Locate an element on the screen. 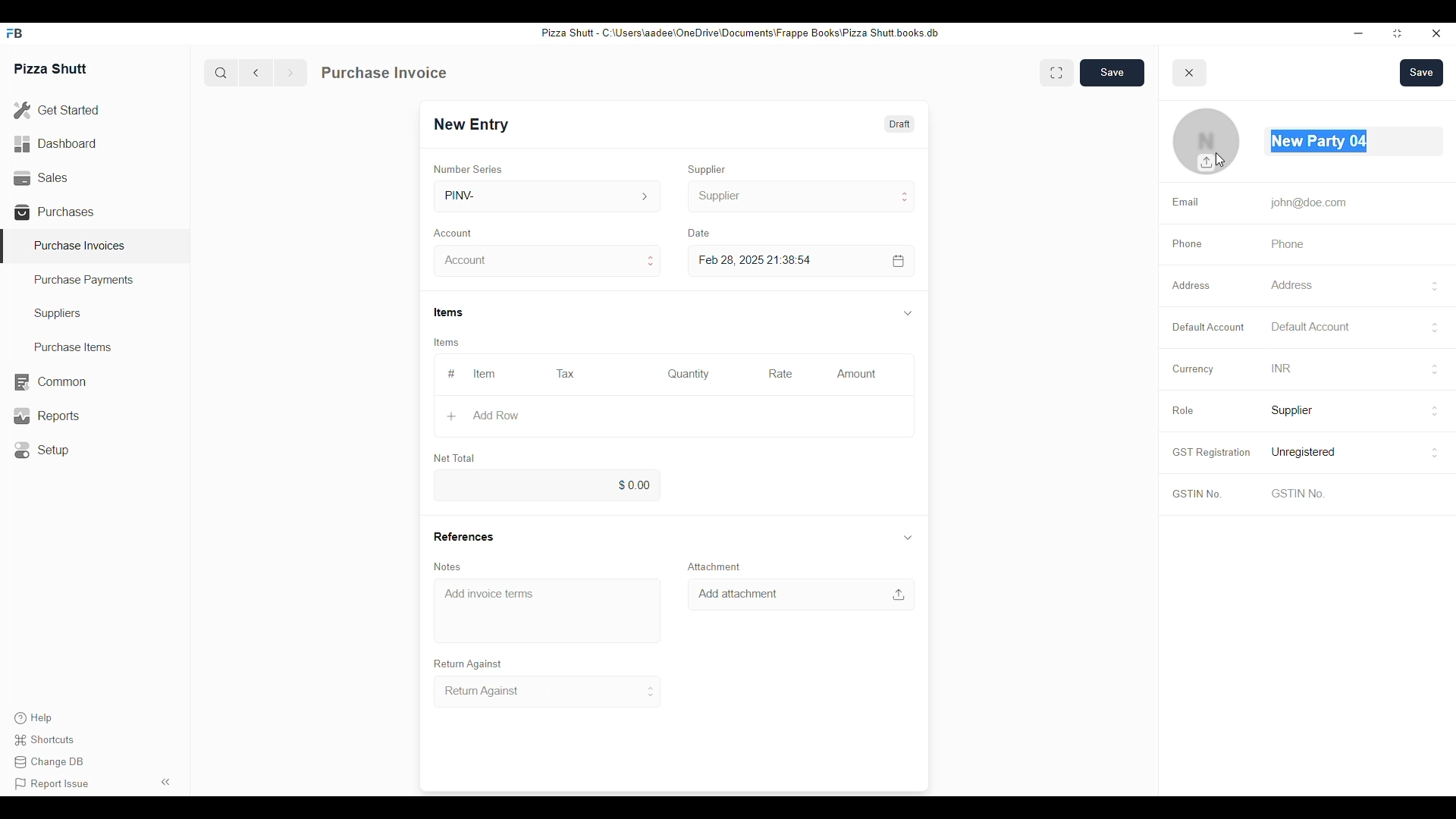 This screenshot has height=819, width=1456. close is located at coordinates (1190, 73).